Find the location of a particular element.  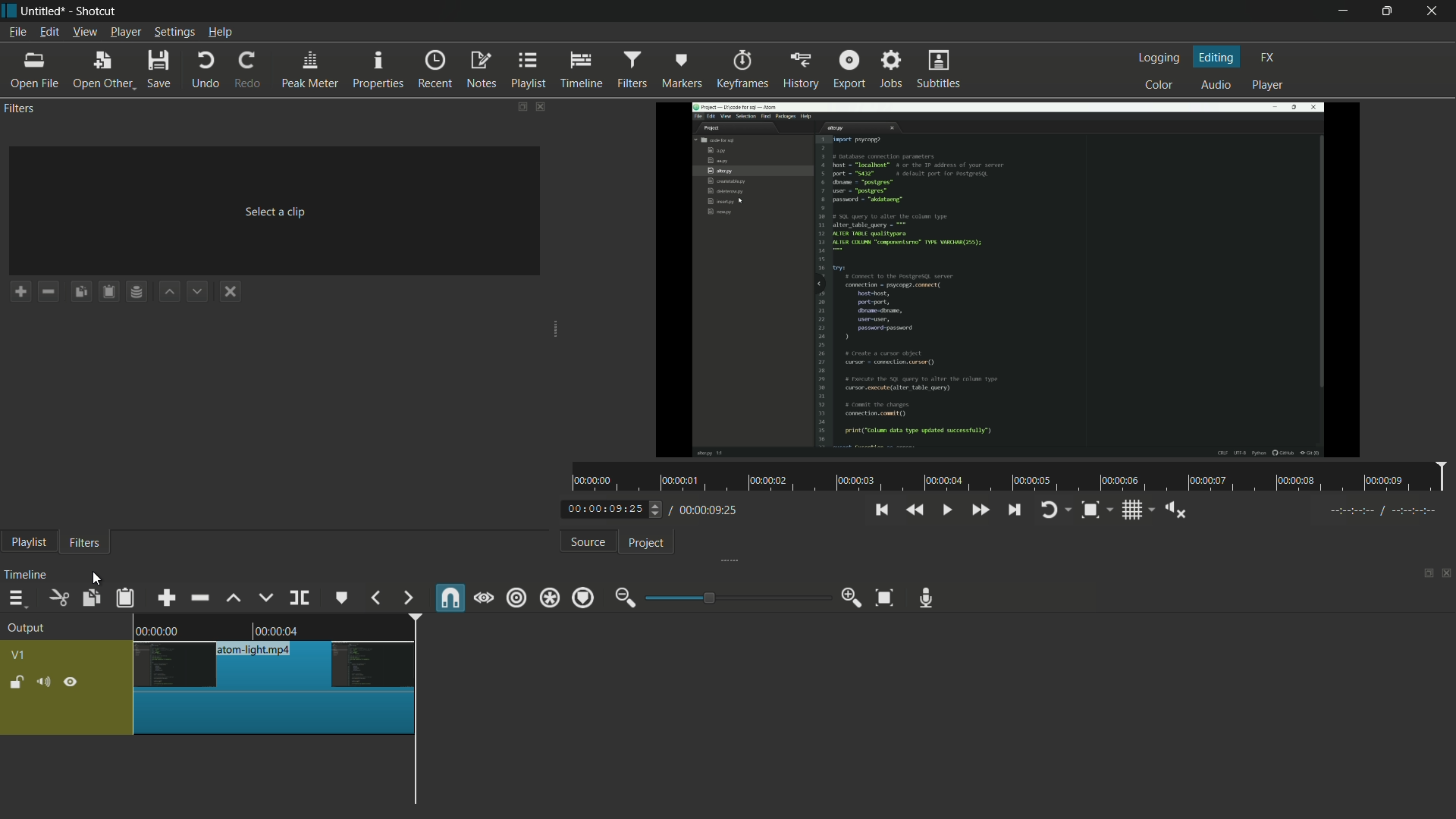

change layout is located at coordinates (1423, 572).